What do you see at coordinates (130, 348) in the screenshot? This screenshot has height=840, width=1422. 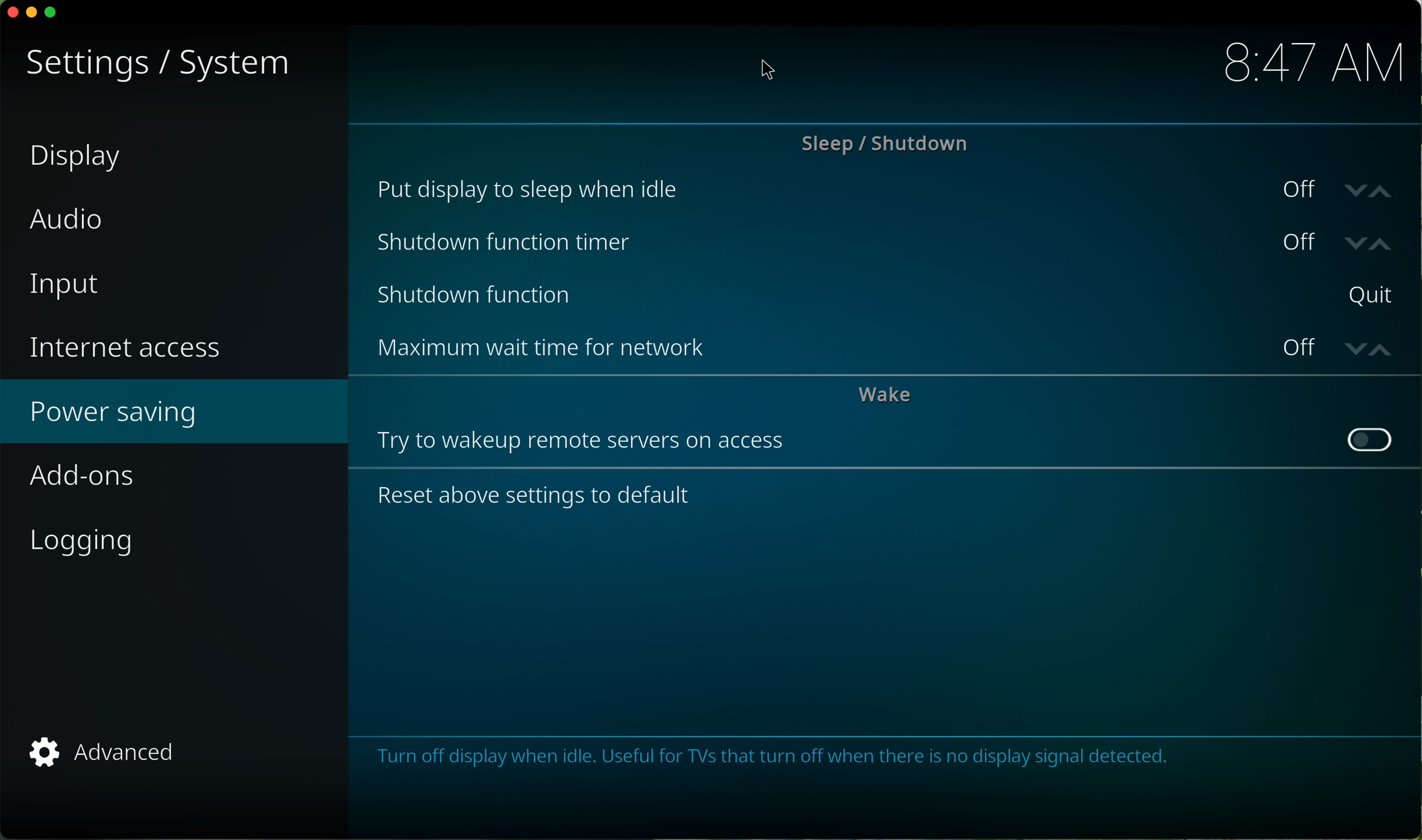 I see `internet access` at bounding box center [130, 348].